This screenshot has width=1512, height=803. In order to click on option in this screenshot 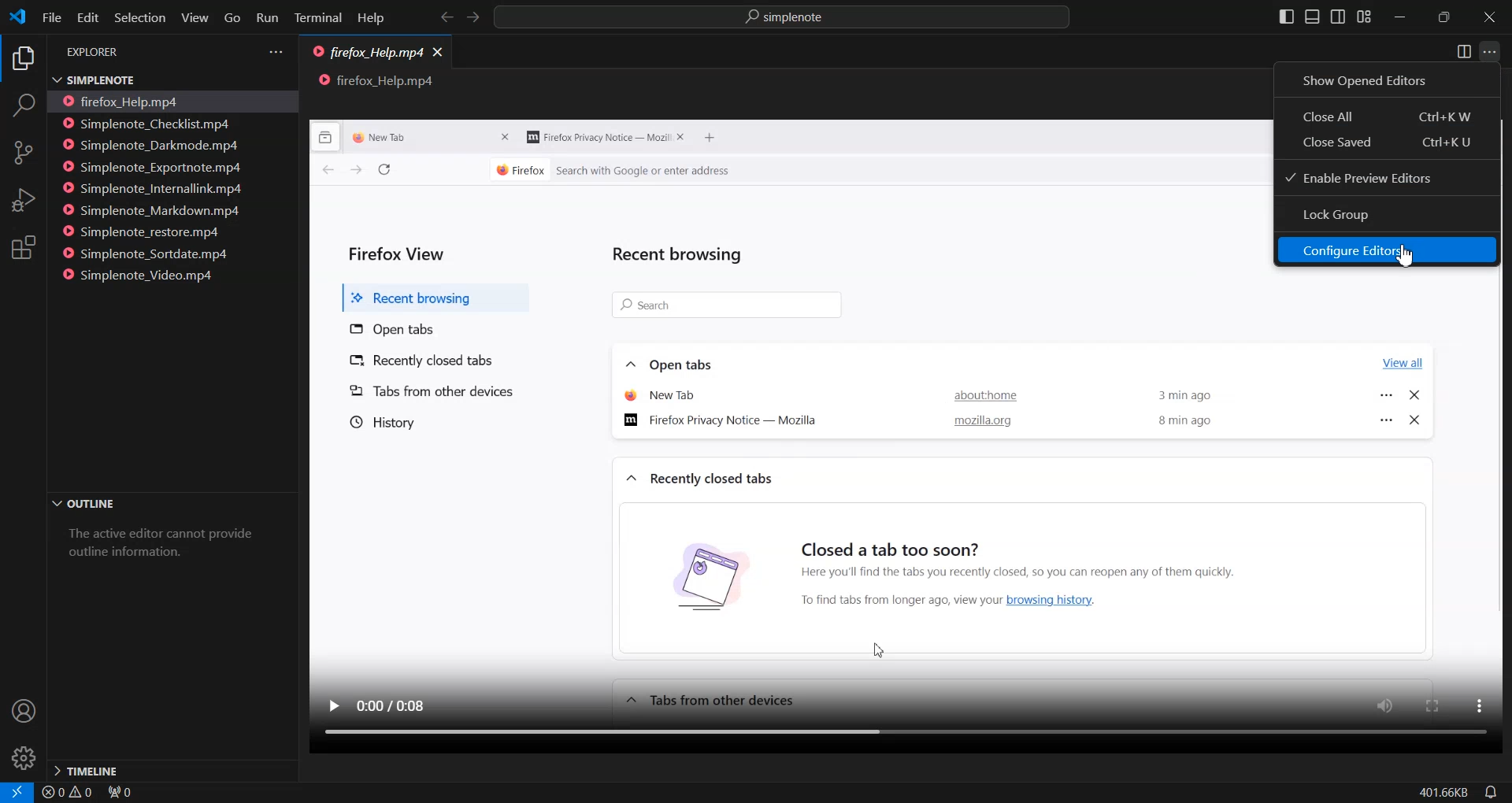, I will do `click(1384, 420)`.